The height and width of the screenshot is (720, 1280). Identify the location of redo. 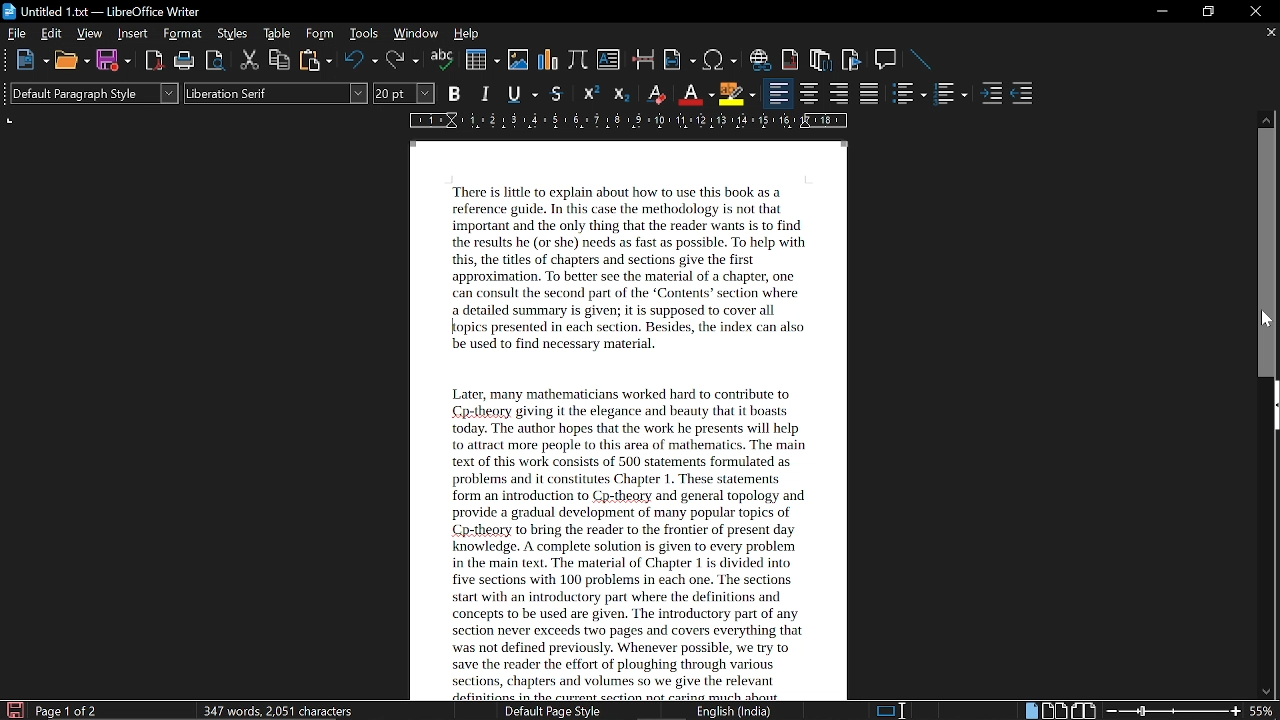
(402, 62).